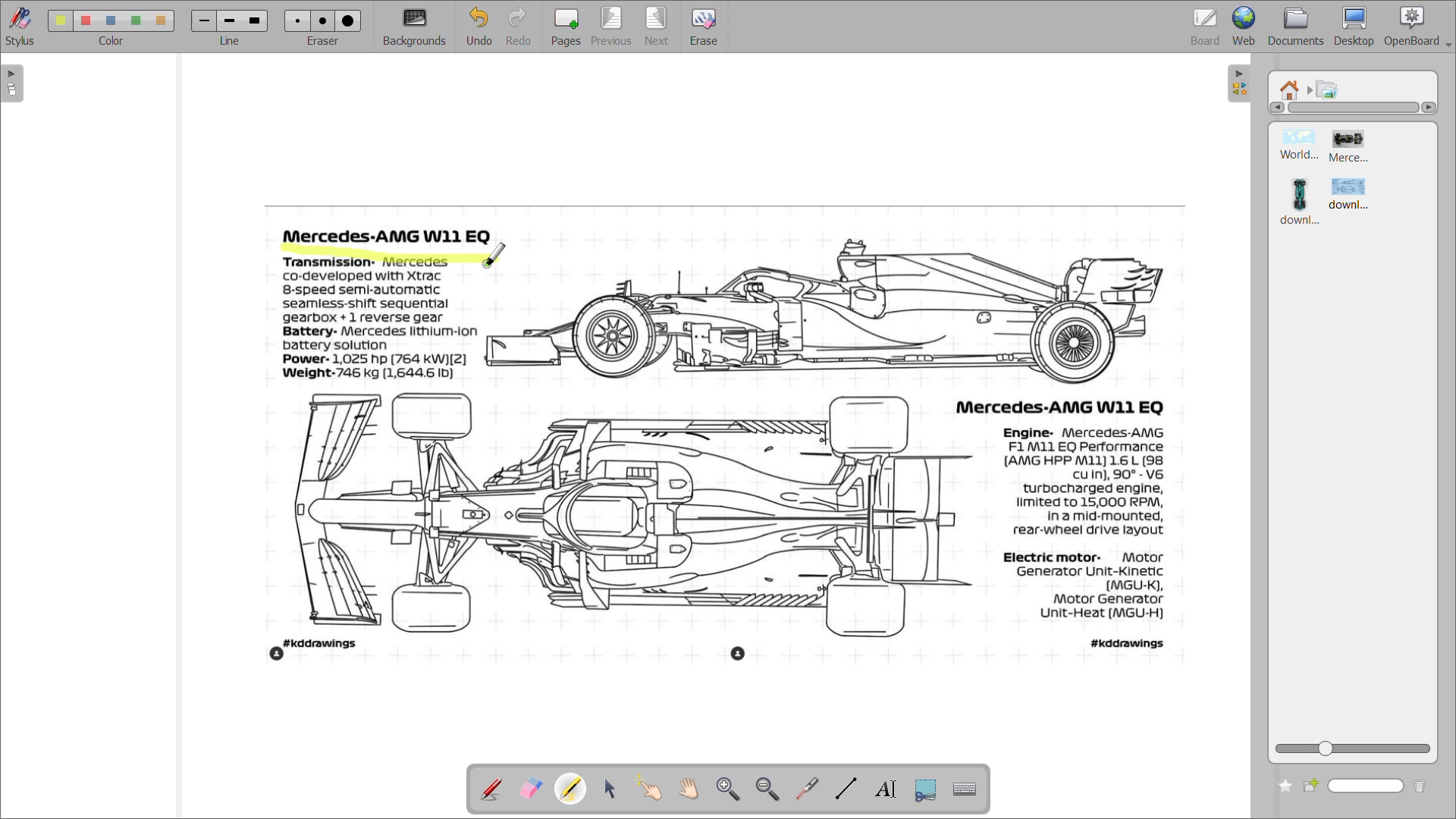 The width and height of the screenshot is (1456, 819). I want to click on stylus, so click(20, 27).